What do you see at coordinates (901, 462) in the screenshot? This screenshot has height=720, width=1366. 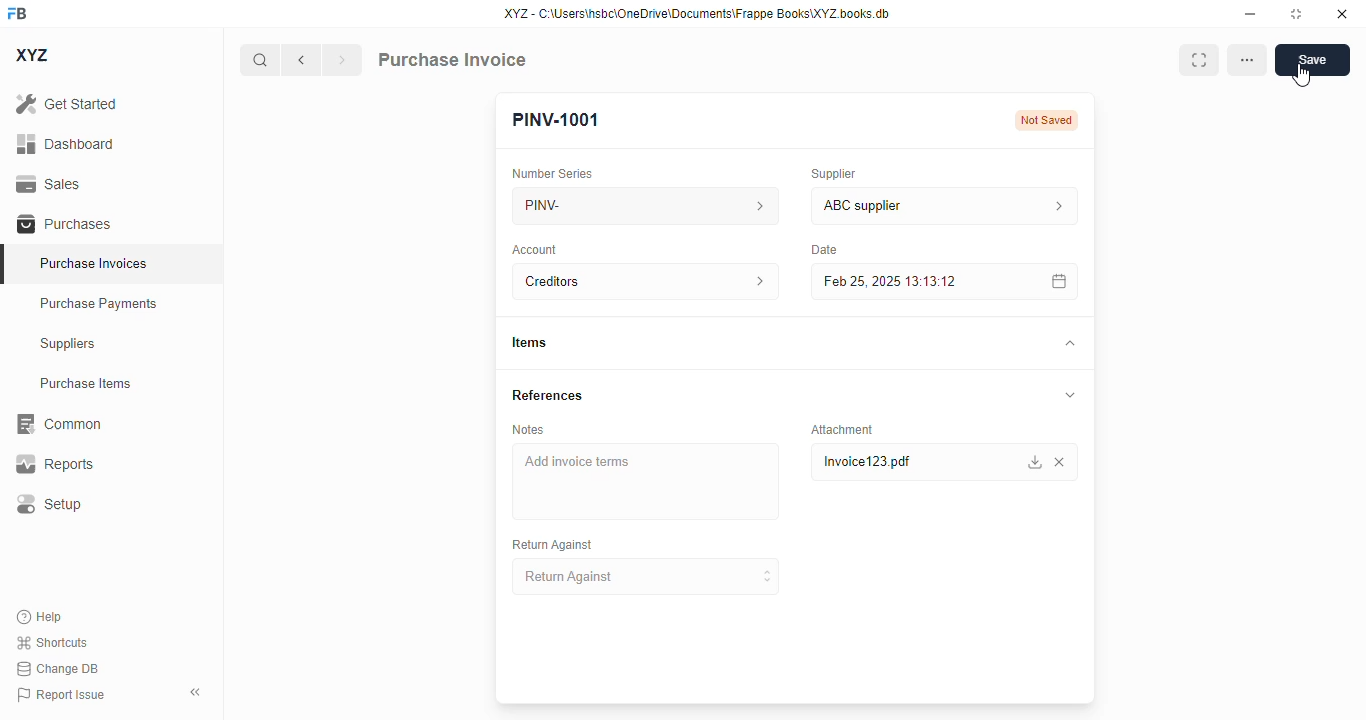 I see `Invoice123.pdf` at bounding box center [901, 462].